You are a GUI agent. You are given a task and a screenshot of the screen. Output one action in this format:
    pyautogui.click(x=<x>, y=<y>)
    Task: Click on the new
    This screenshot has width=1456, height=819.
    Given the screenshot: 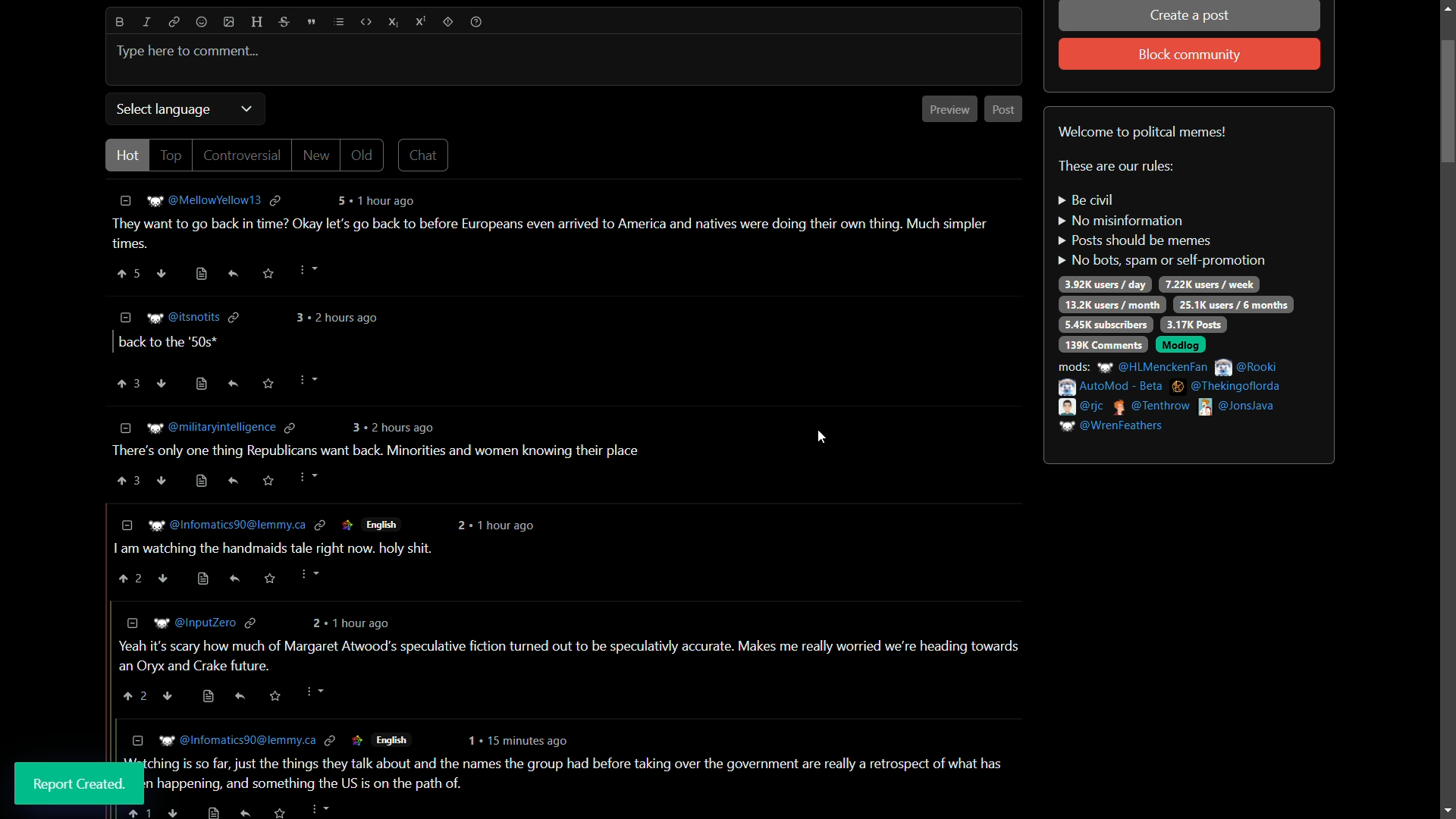 What is the action you would take?
    pyautogui.click(x=318, y=155)
    